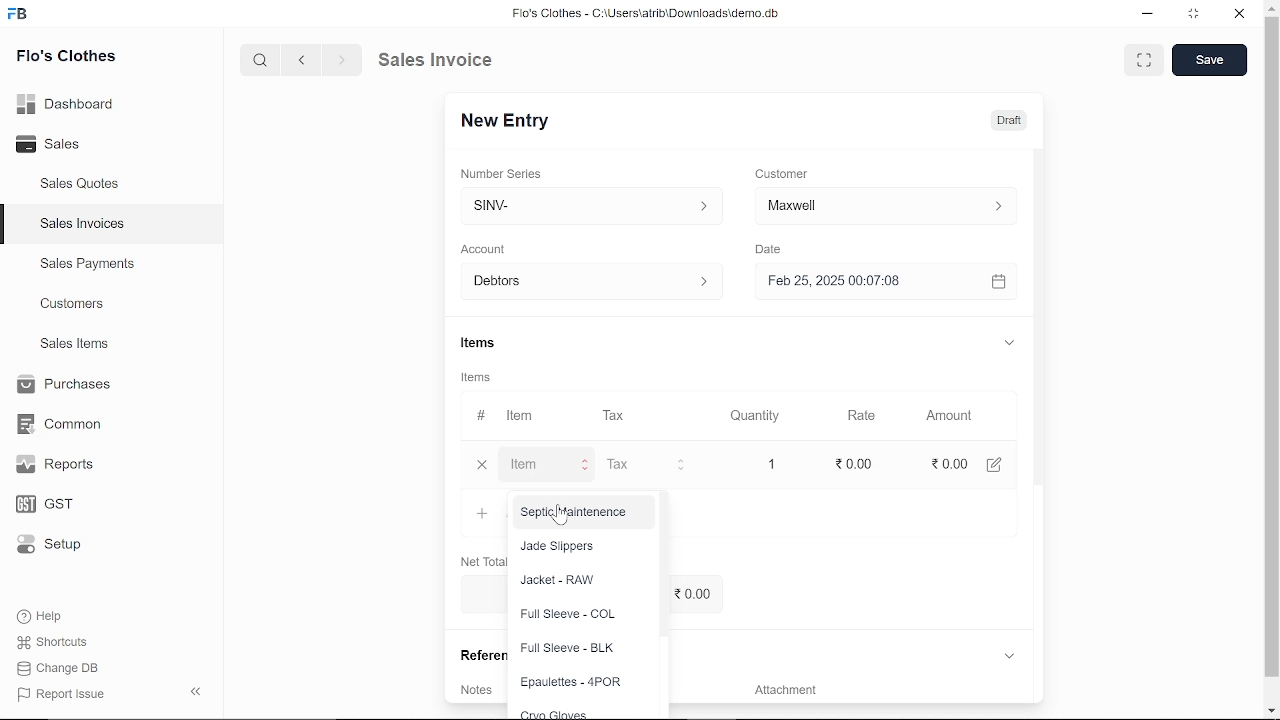 The width and height of the screenshot is (1280, 720). Describe the element at coordinates (886, 693) in the screenshot. I see `Add attachment` at that location.